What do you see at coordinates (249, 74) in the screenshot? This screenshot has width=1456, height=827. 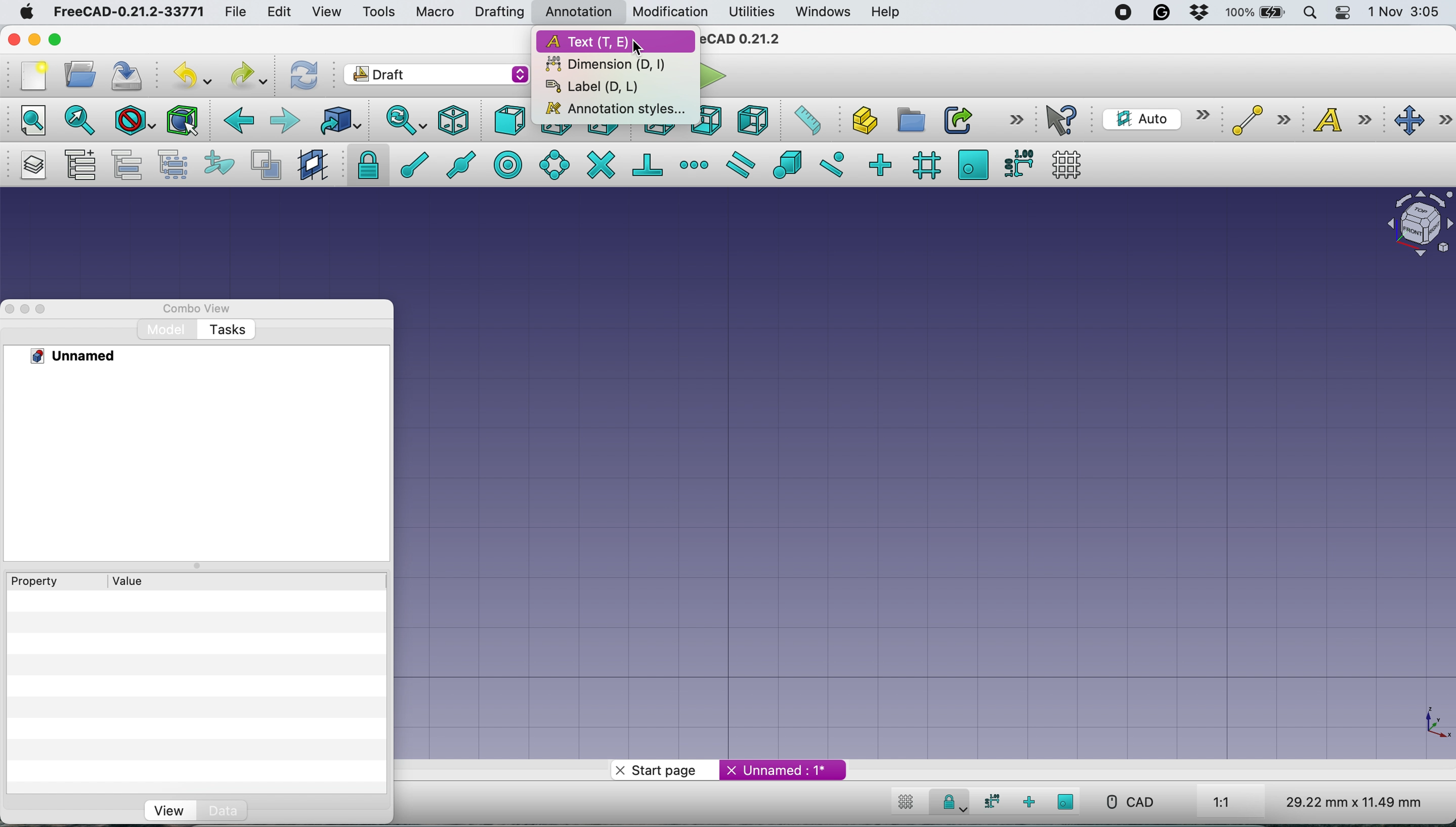 I see `redo` at bounding box center [249, 74].